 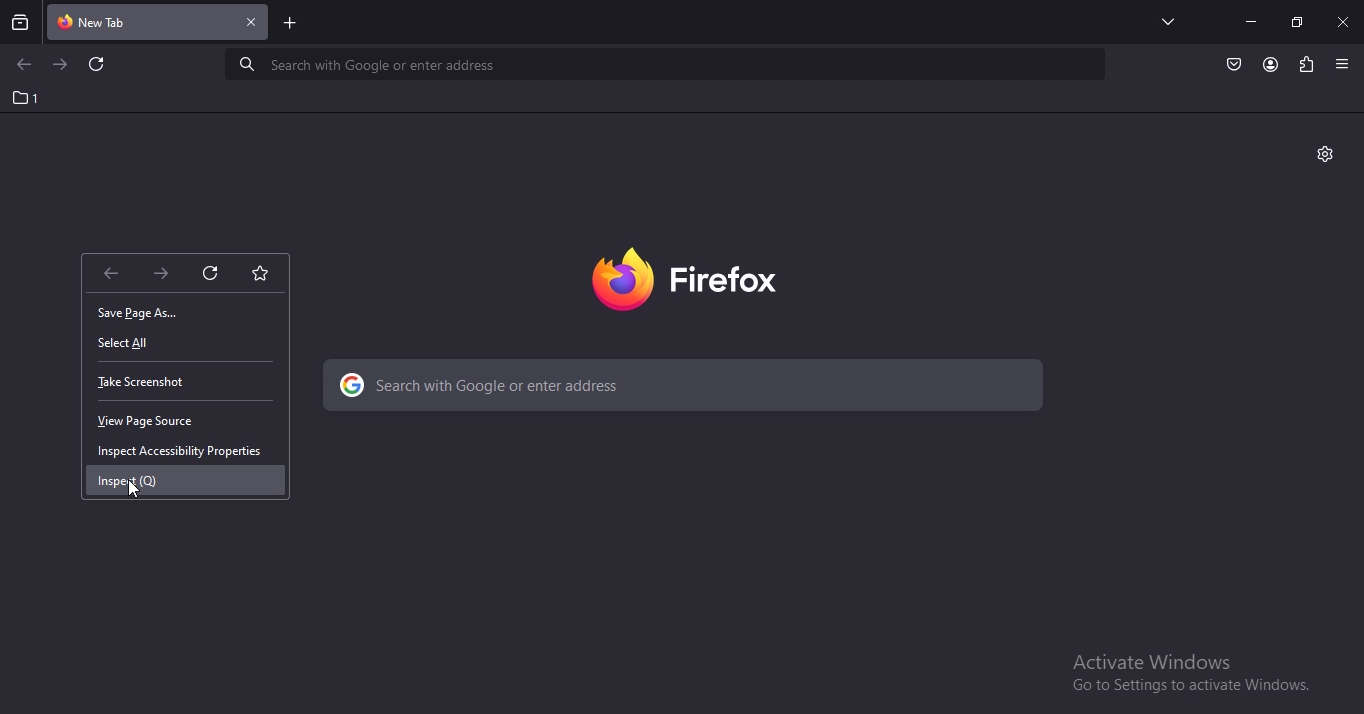 What do you see at coordinates (149, 384) in the screenshot?
I see `take screenshot` at bounding box center [149, 384].